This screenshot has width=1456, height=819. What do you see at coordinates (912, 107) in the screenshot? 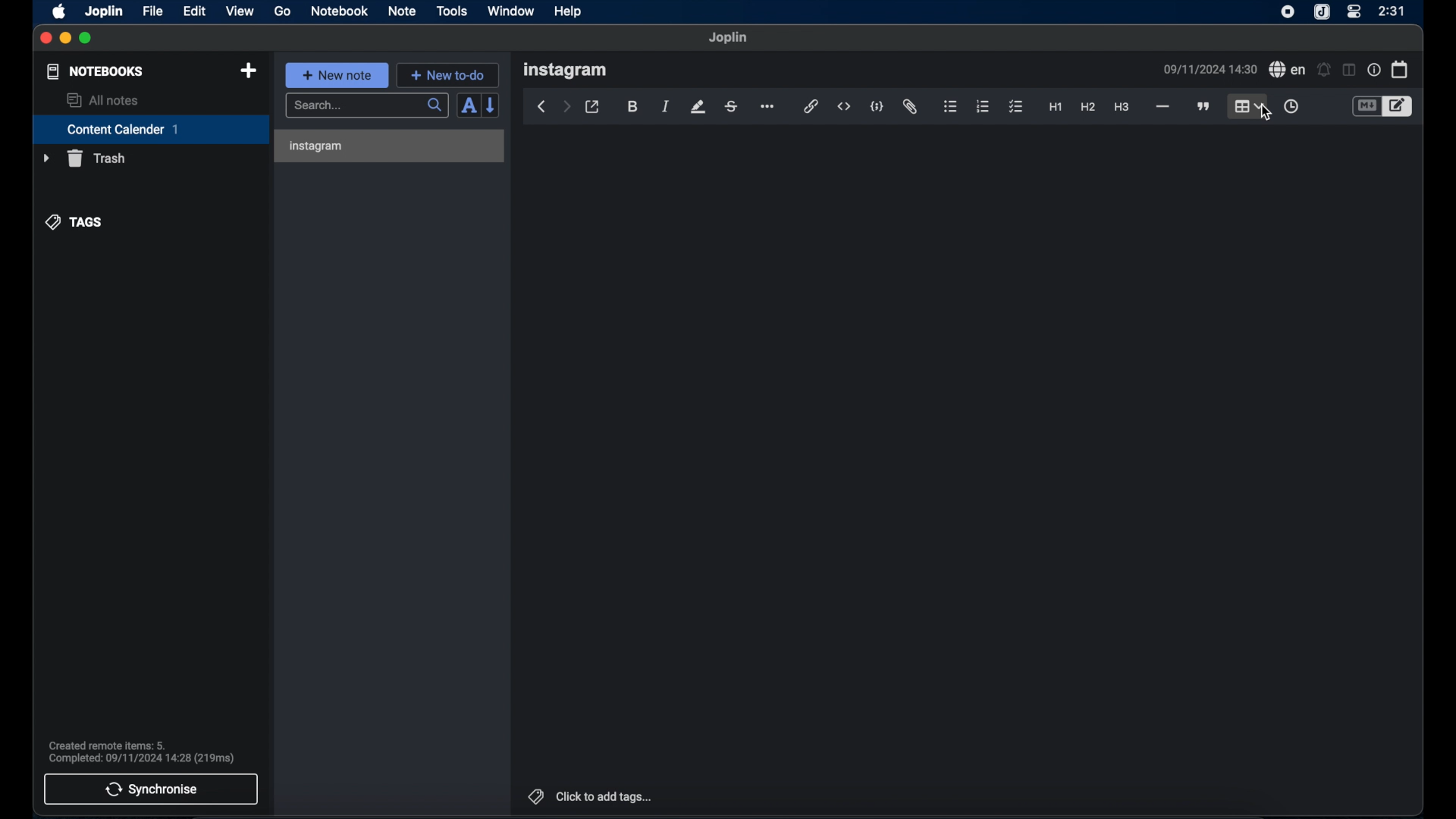
I see `attach file` at bounding box center [912, 107].